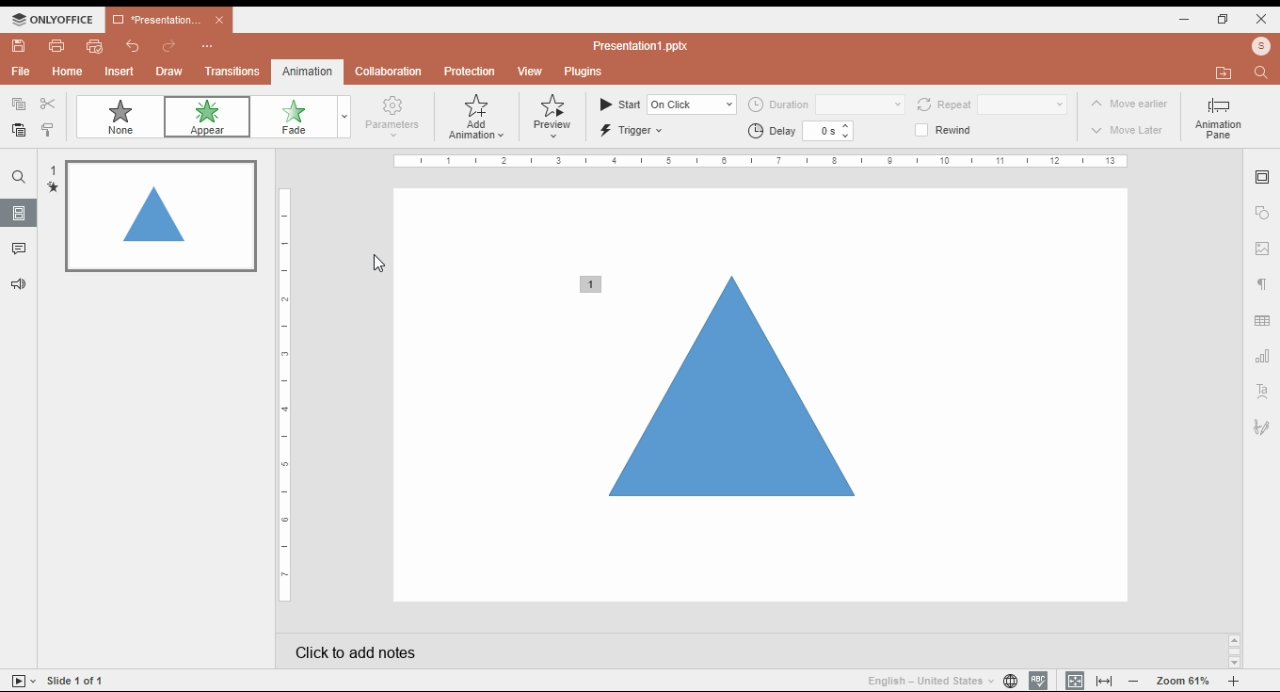 Image resolution: width=1280 pixels, height=692 pixels. Describe the element at coordinates (582, 72) in the screenshot. I see `plugins` at that location.